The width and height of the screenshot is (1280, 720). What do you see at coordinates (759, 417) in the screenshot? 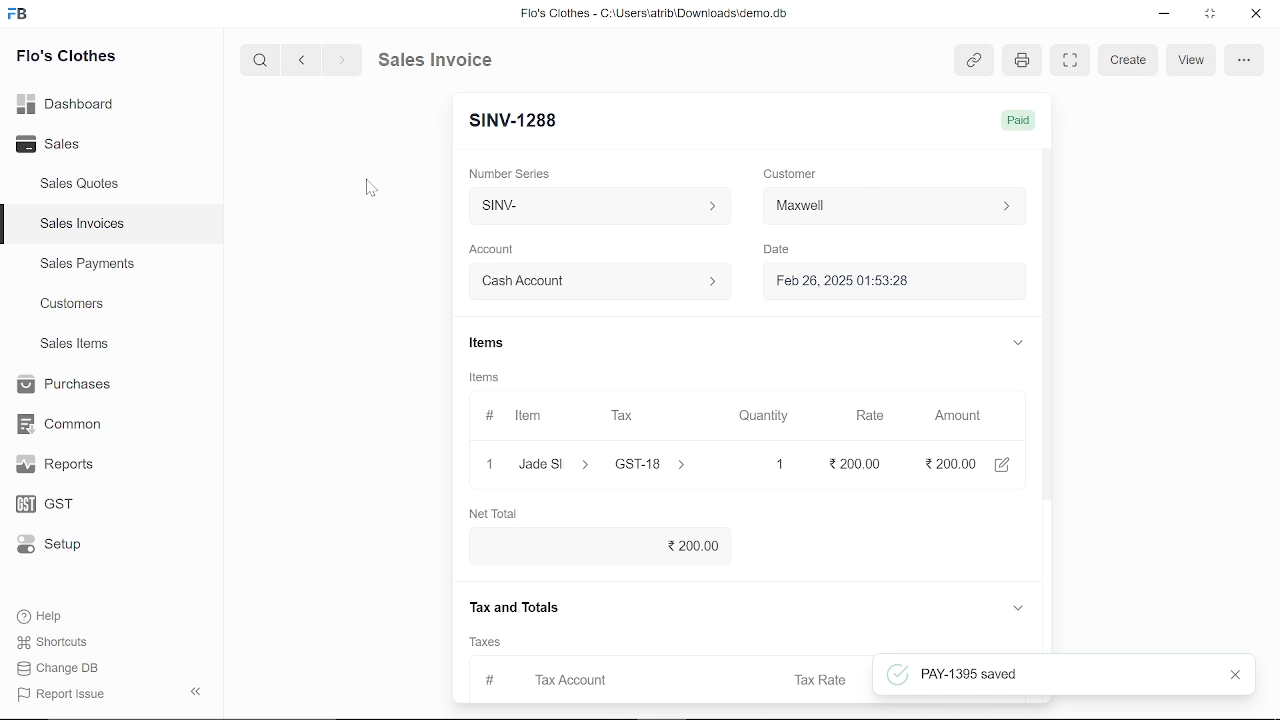
I see `Quantity` at bounding box center [759, 417].